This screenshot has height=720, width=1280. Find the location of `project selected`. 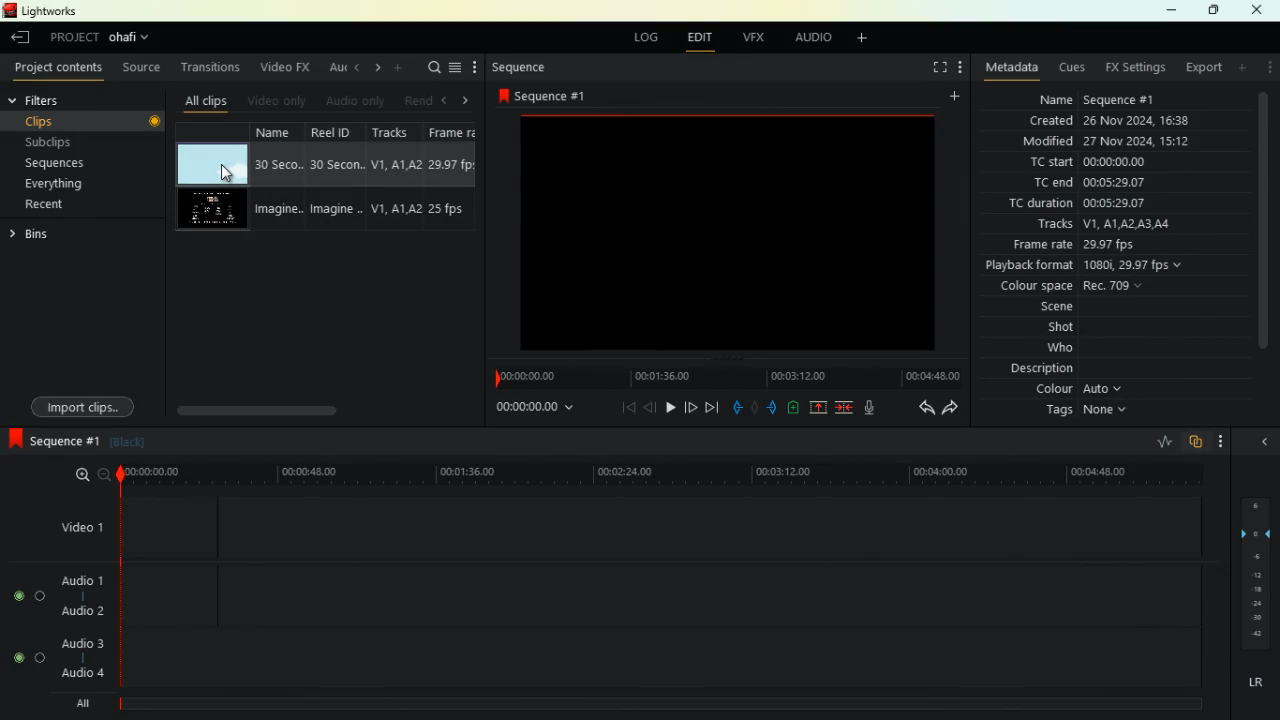

project selected is located at coordinates (102, 36).